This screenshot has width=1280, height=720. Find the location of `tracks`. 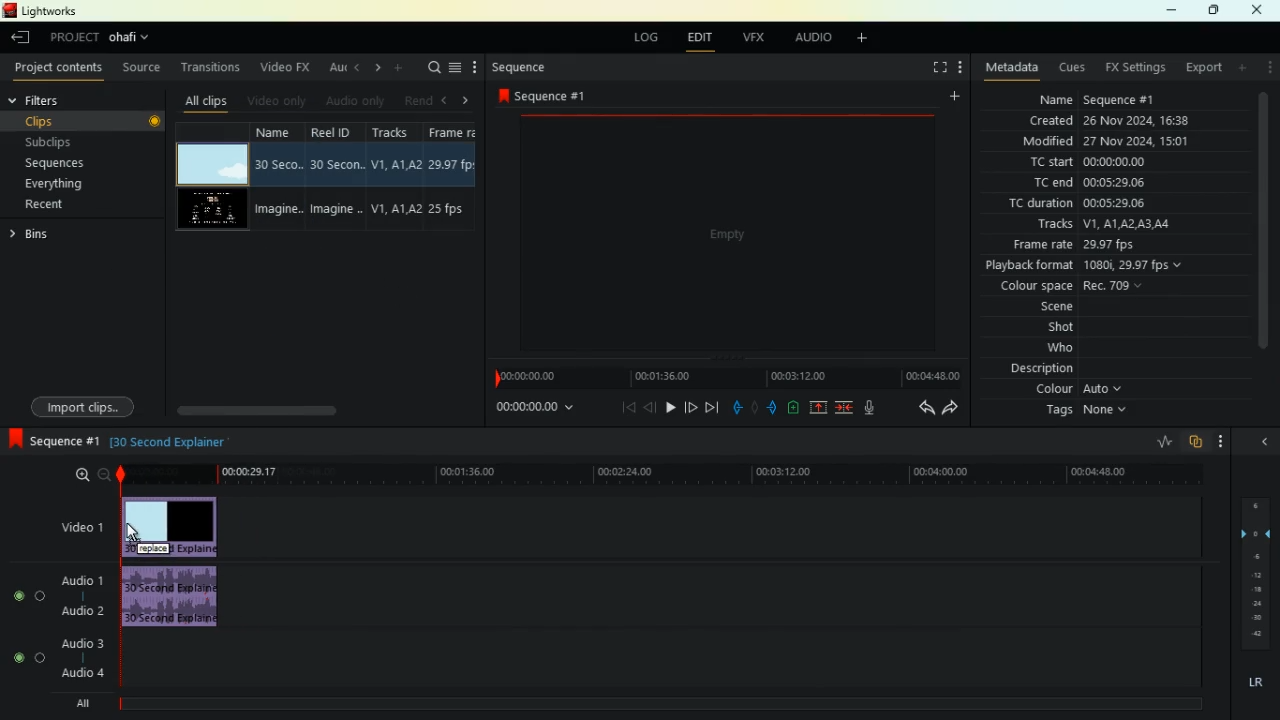

tracks is located at coordinates (398, 175).